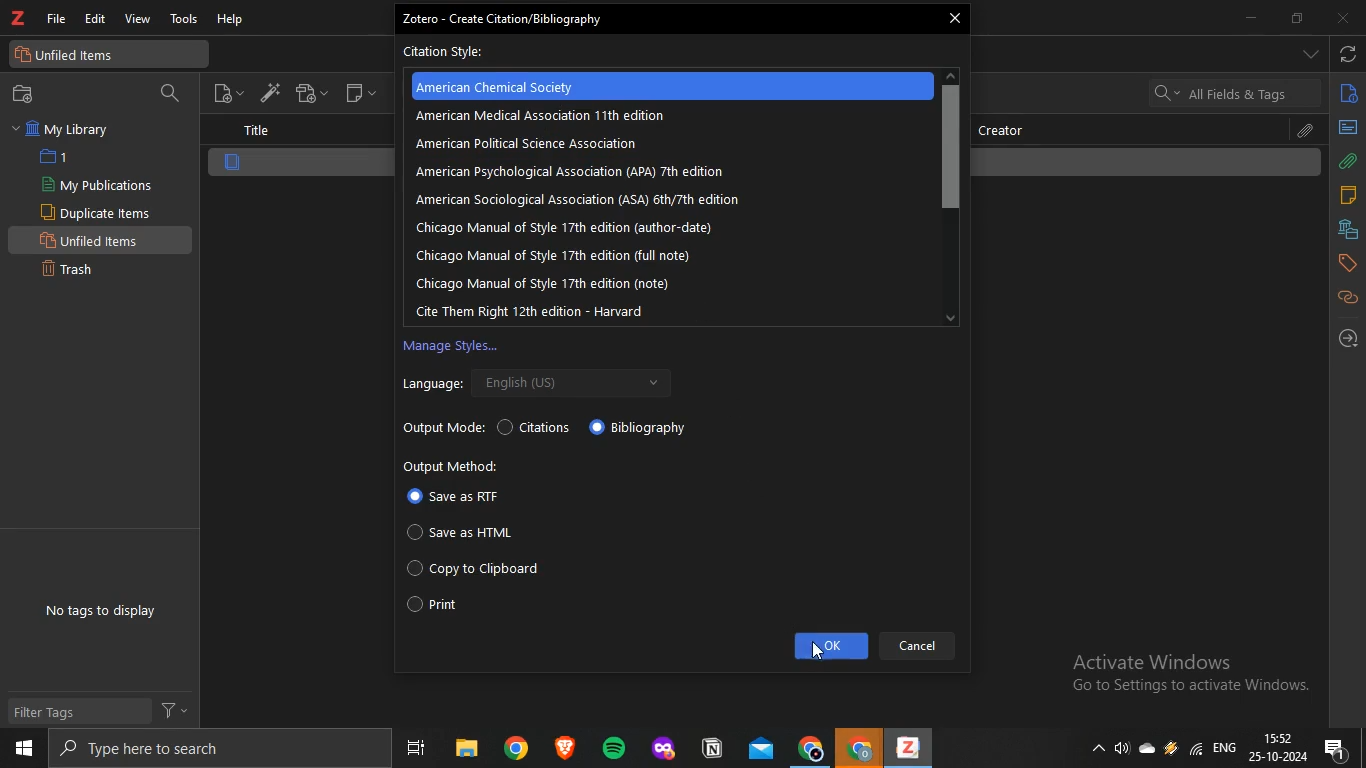 Image resolution: width=1366 pixels, height=768 pixels. I want to click on search bar, so click(1234, 92).